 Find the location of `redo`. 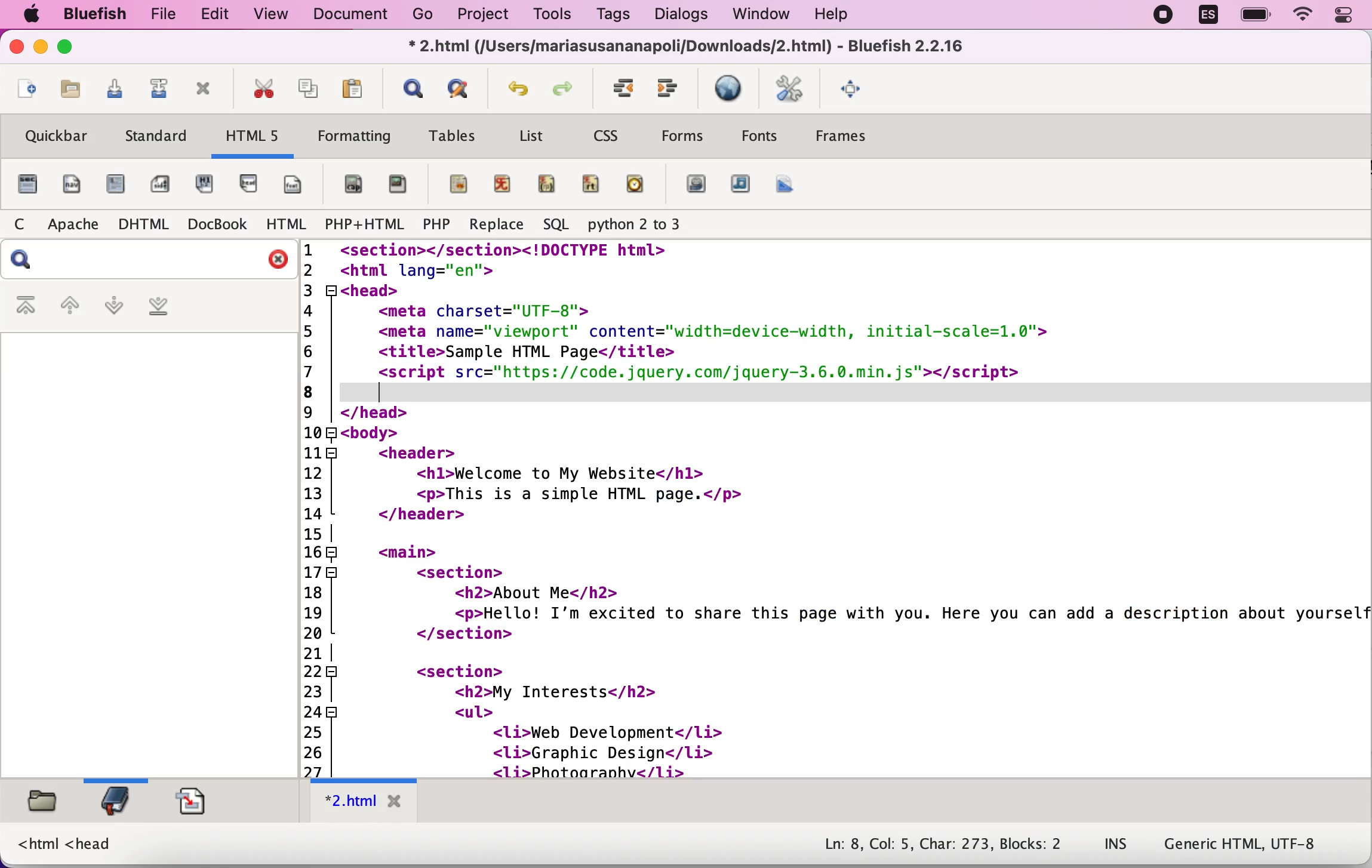

redo is located at coordinates (570, 89).